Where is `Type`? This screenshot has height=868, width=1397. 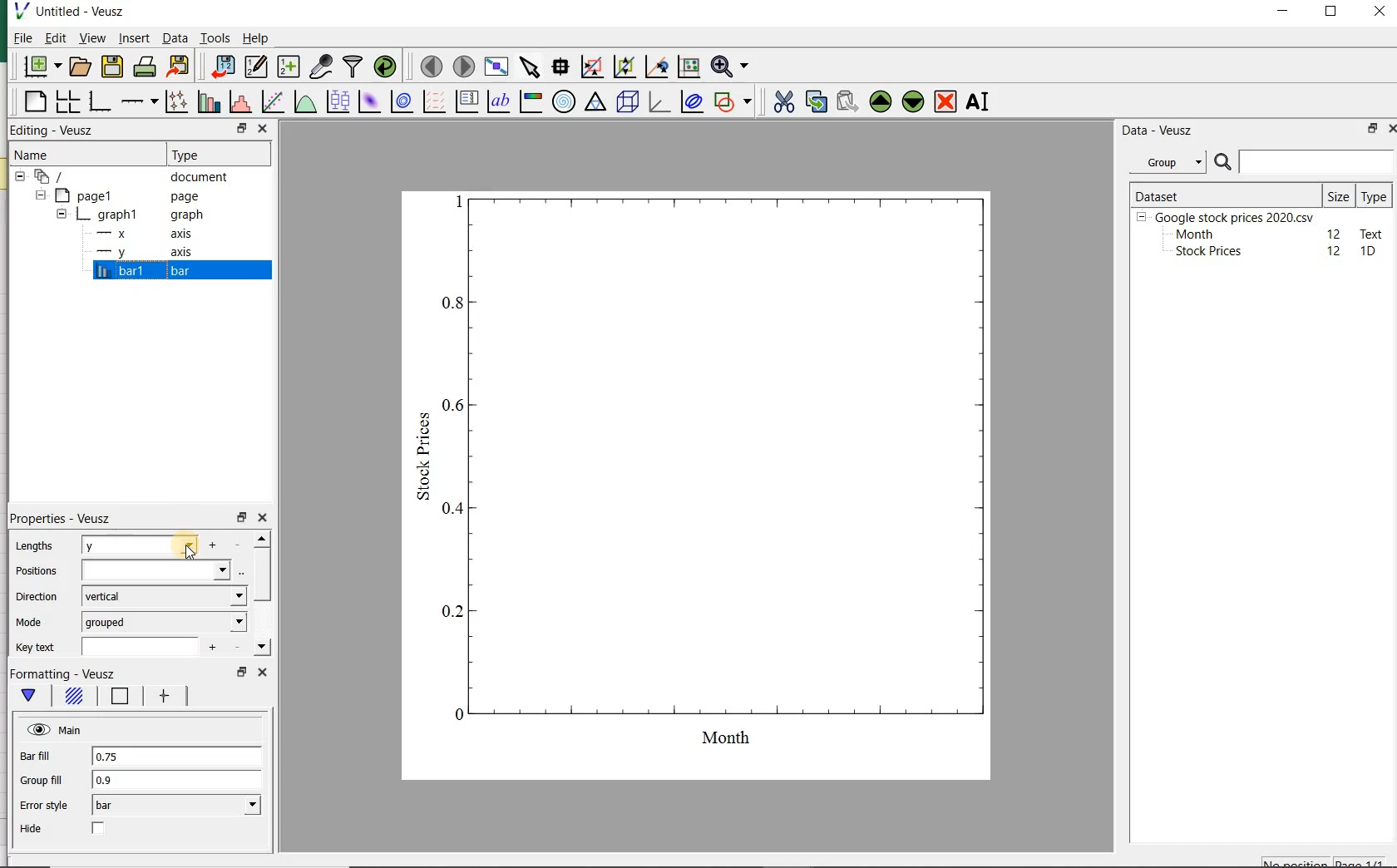
Type is located at coordinates (207, 153).